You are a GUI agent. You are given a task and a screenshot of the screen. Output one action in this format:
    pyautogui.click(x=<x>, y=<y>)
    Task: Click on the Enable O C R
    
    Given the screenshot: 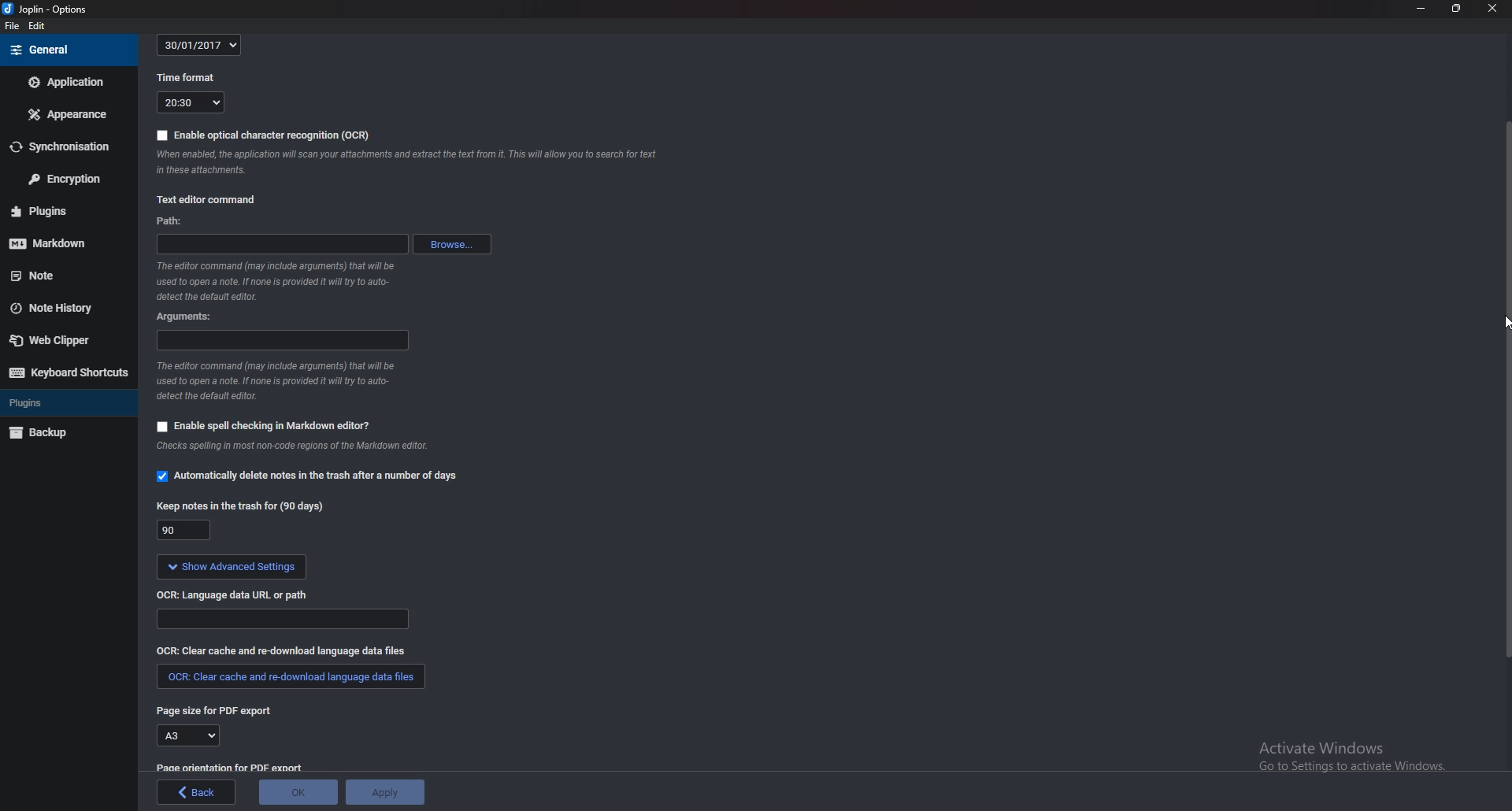 What is the action you would take?
    pyautogui.click(x=264, y=135)
    